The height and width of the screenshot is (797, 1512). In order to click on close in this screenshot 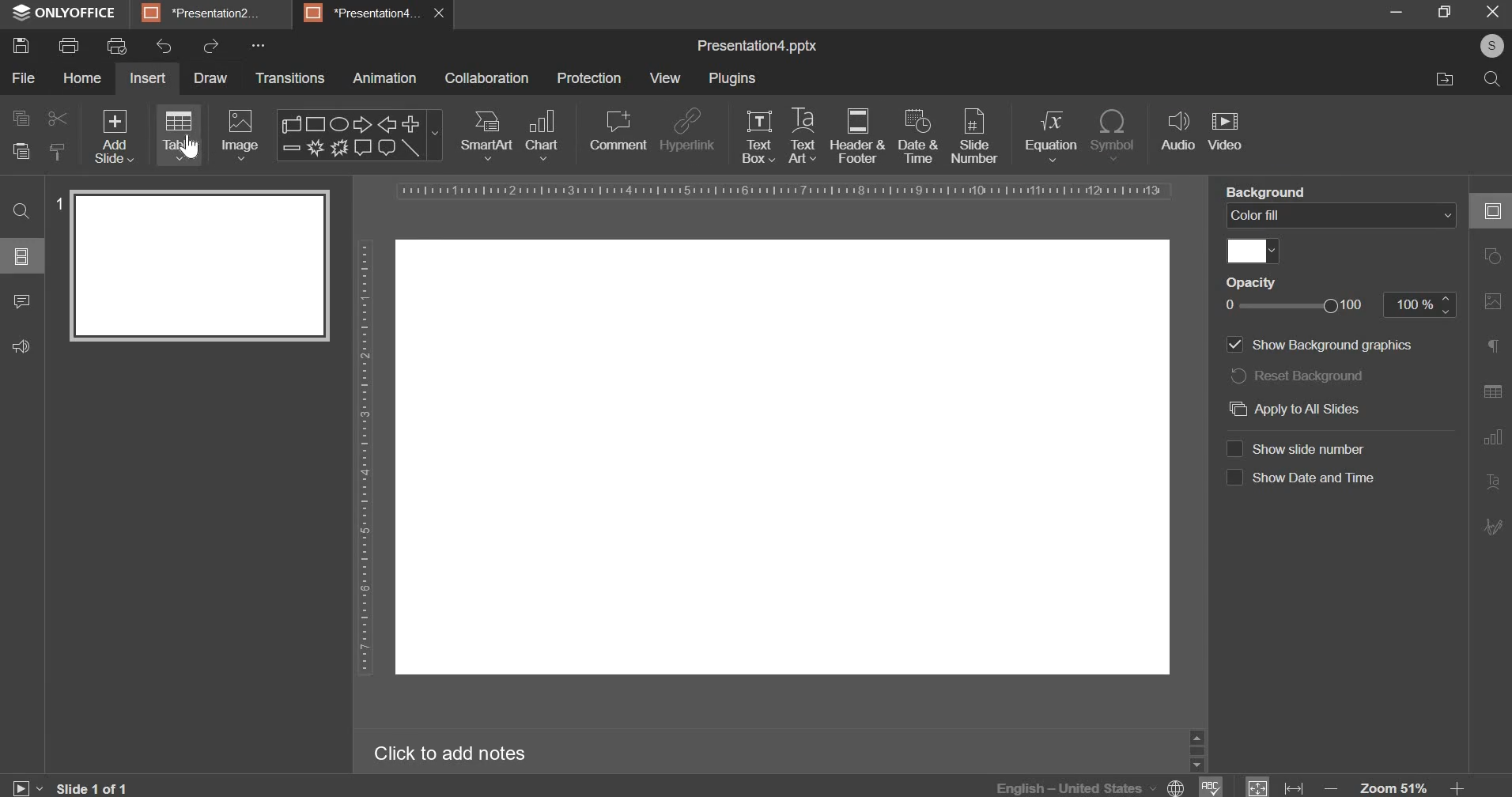, I will do `click(443, 13)`.